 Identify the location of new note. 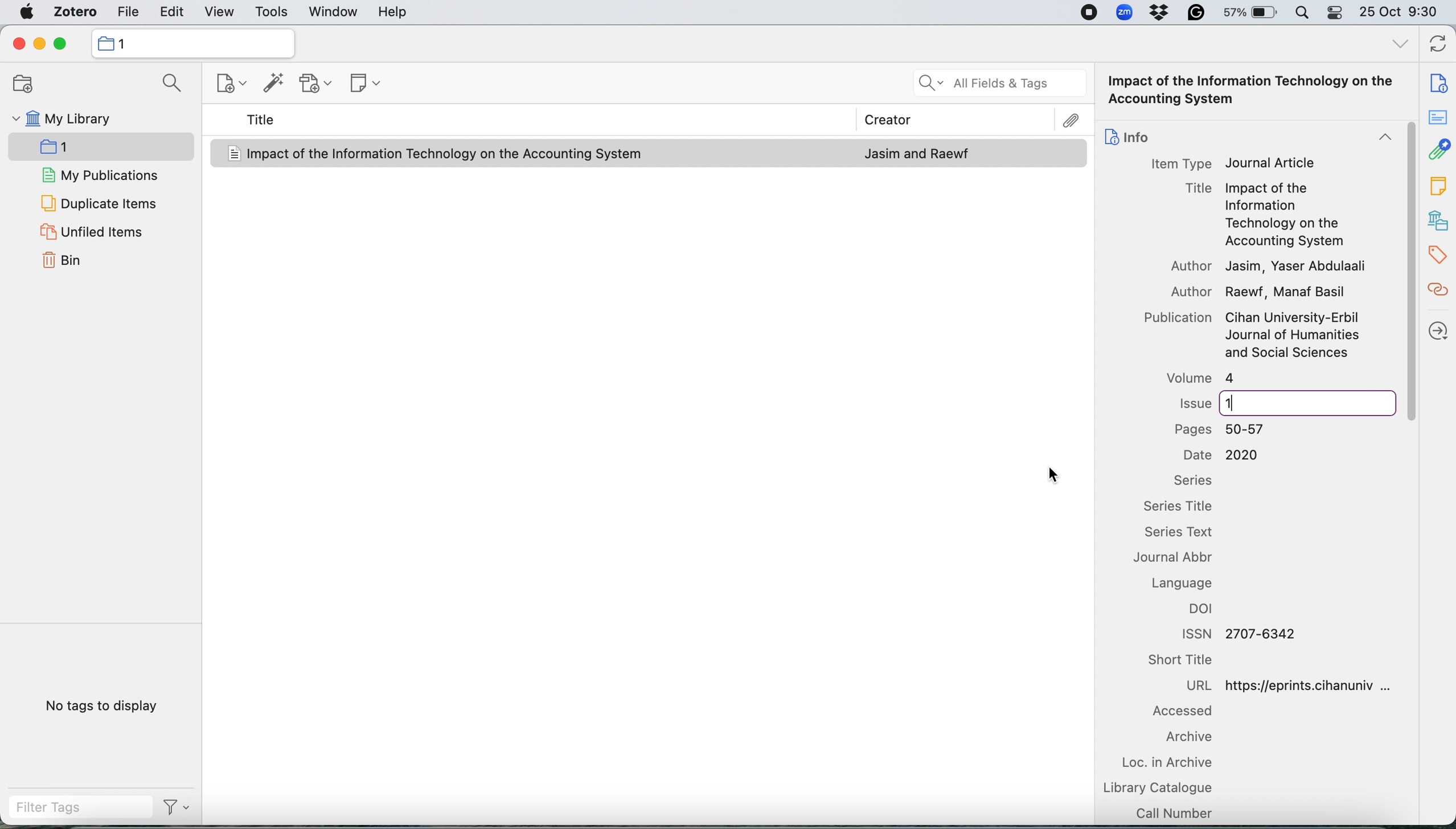
(363, 85).